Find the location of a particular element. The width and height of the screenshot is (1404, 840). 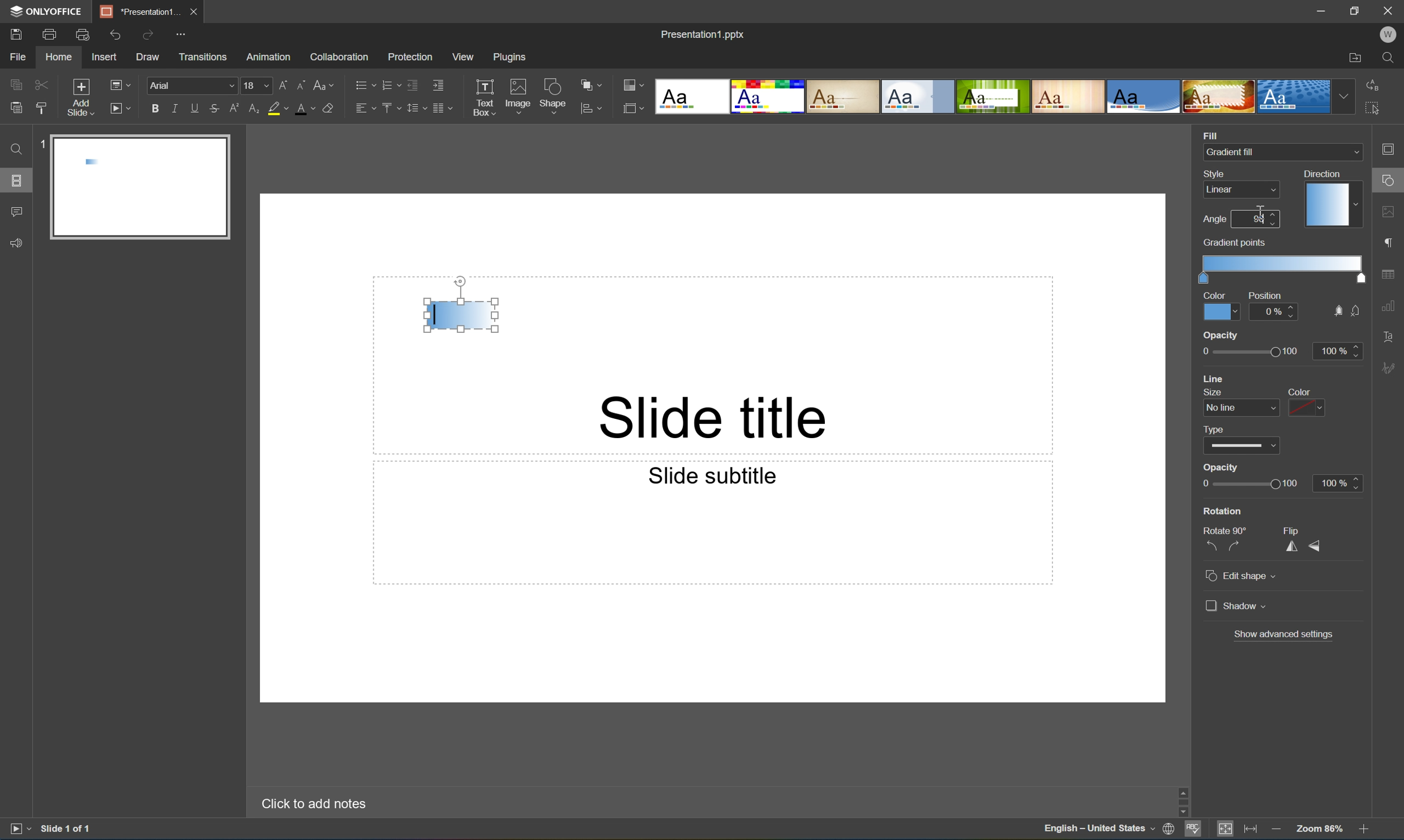

opacity is located at coordinates (1222, 335).